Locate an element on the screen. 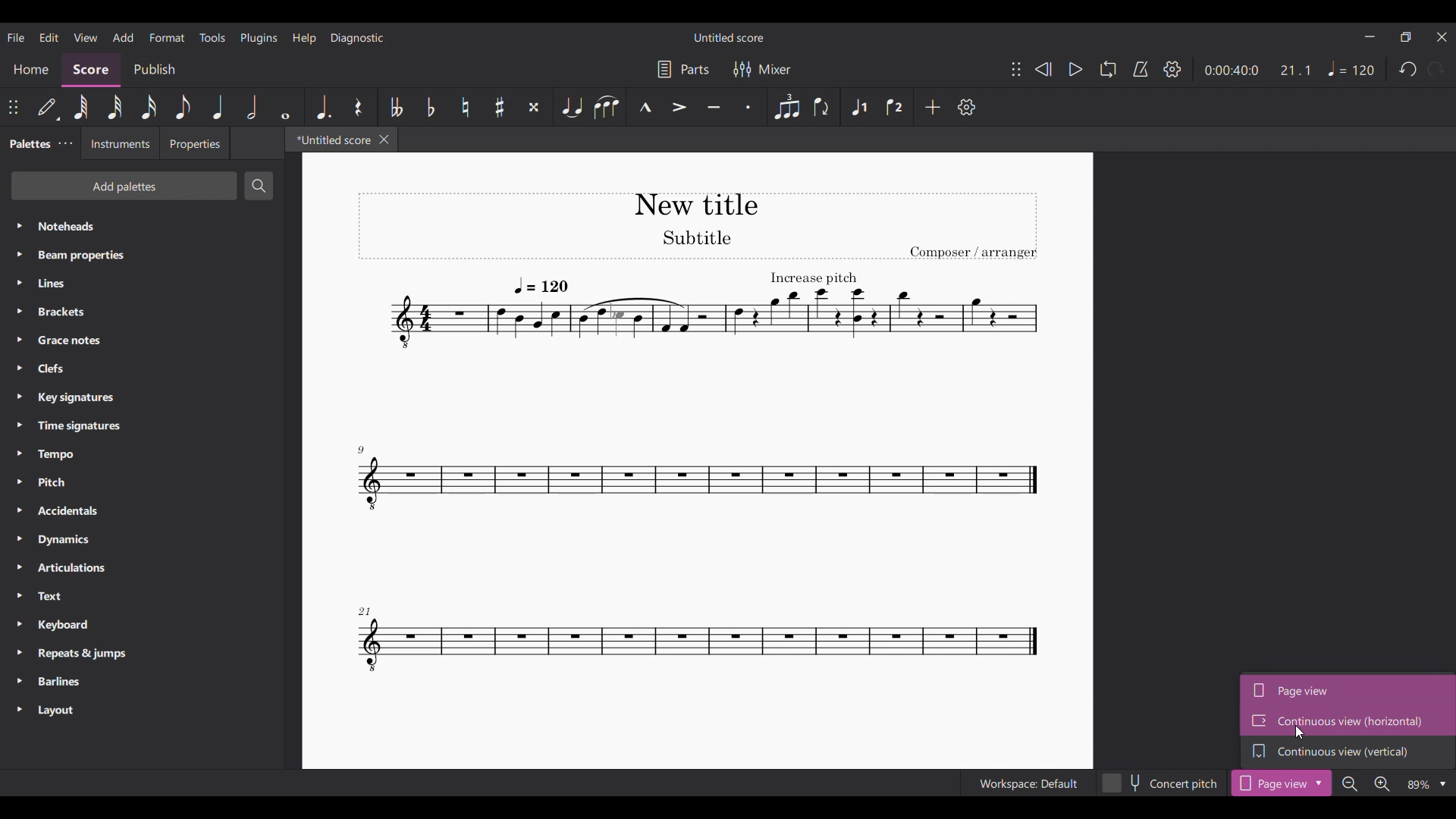 This screenshot has width=1456, height=819. Repeats & jumps is located at coordinates (143, 654).